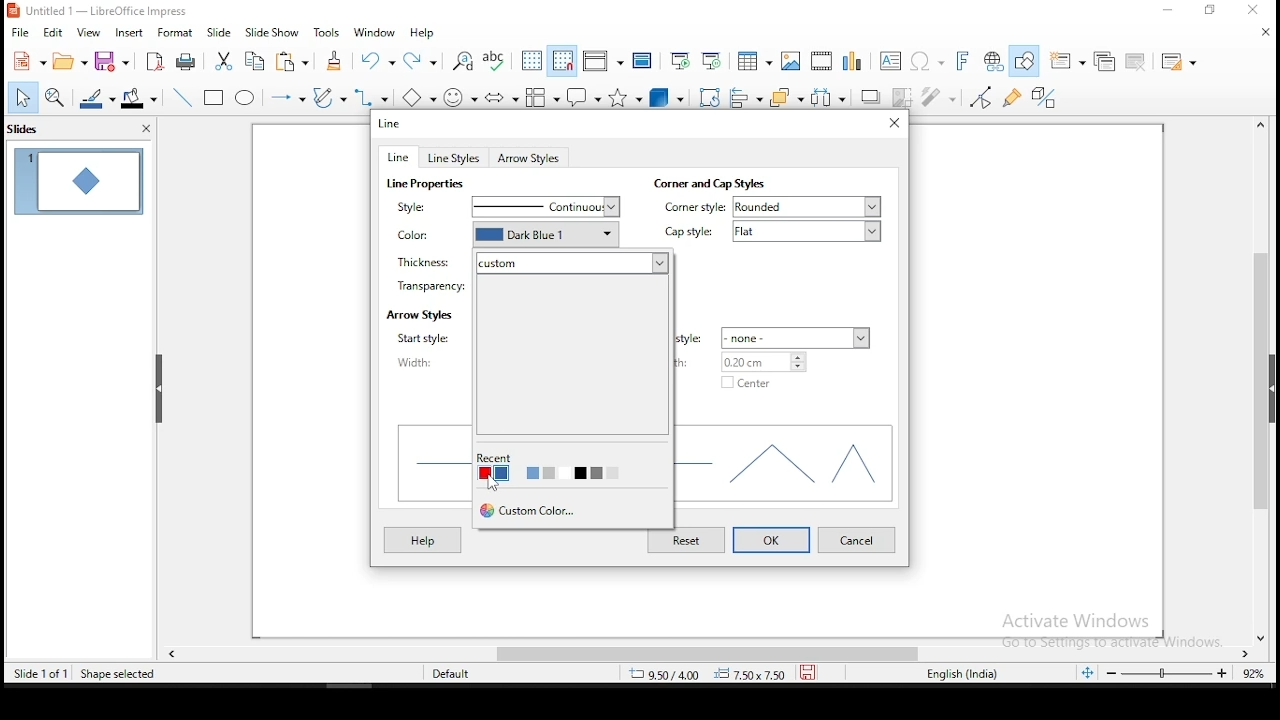 This screenshot has width=1280, height=720. I want to click on slide, so click(217, 31).